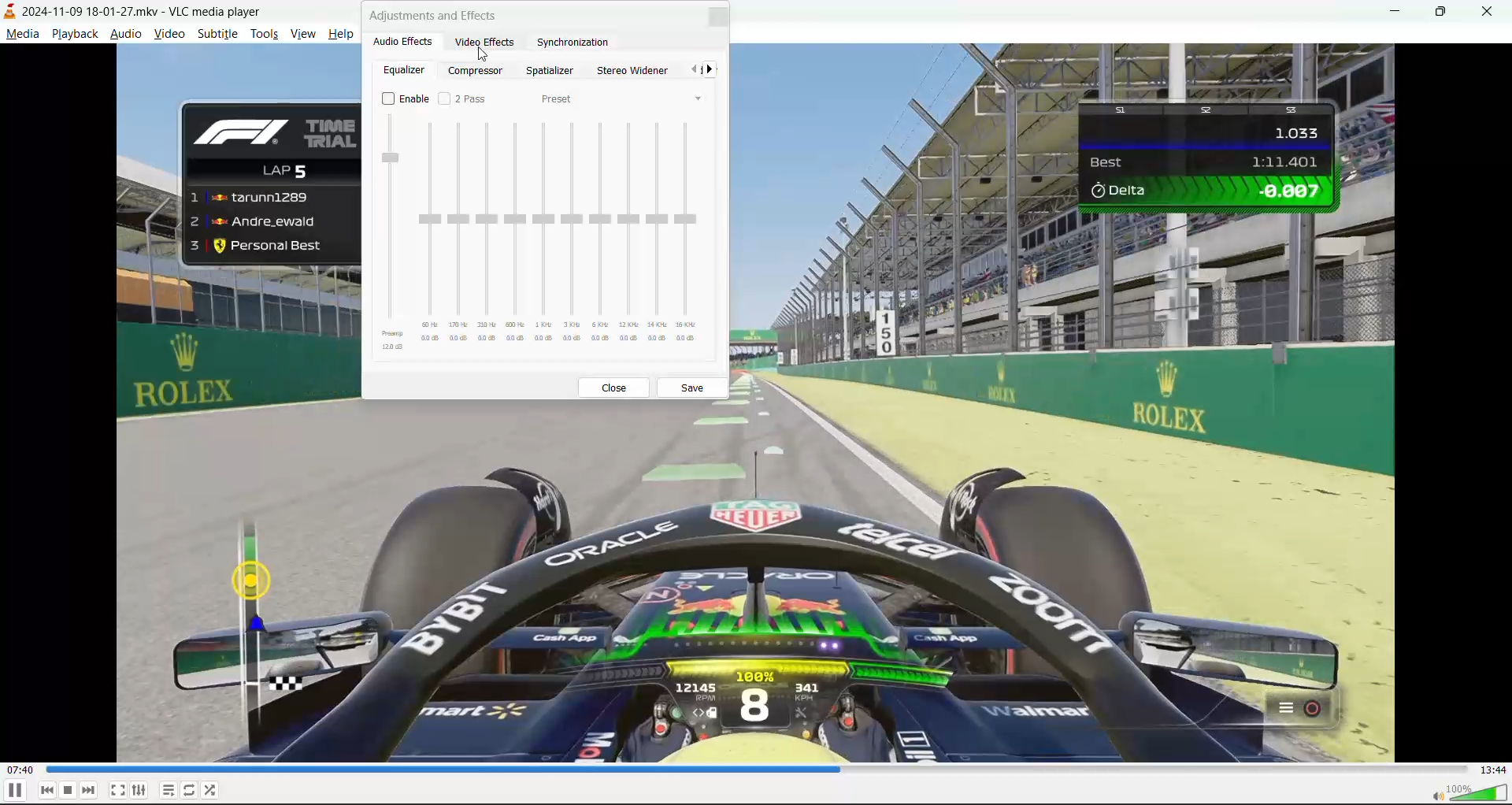  What do you see at coordinates (759, 770) in the screenshot?
I see `track slider` at bounding box center [759, 770].